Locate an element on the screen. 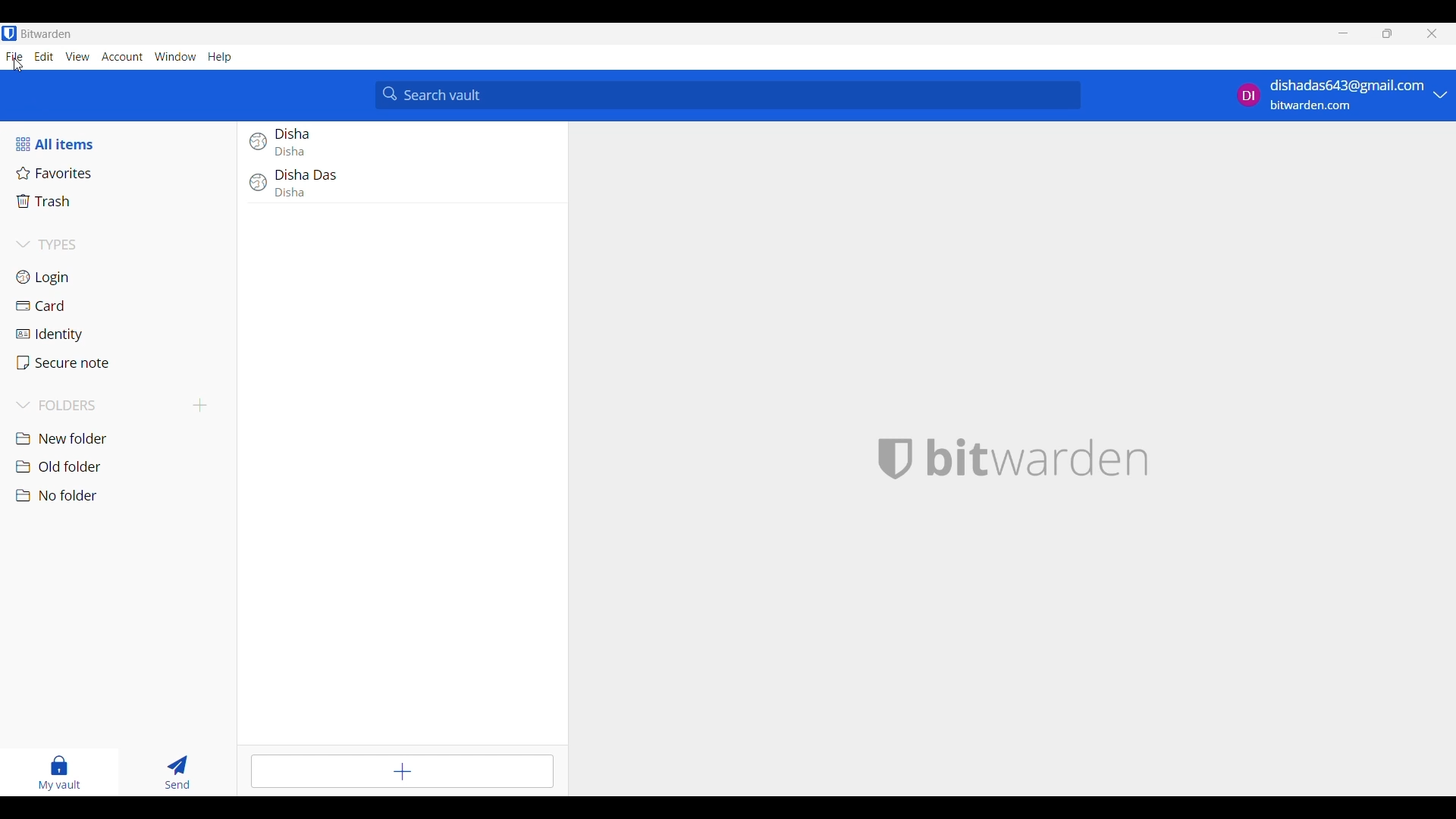 The image size is (1456, 819). Disha login entry is located at coordinates (402, 143).